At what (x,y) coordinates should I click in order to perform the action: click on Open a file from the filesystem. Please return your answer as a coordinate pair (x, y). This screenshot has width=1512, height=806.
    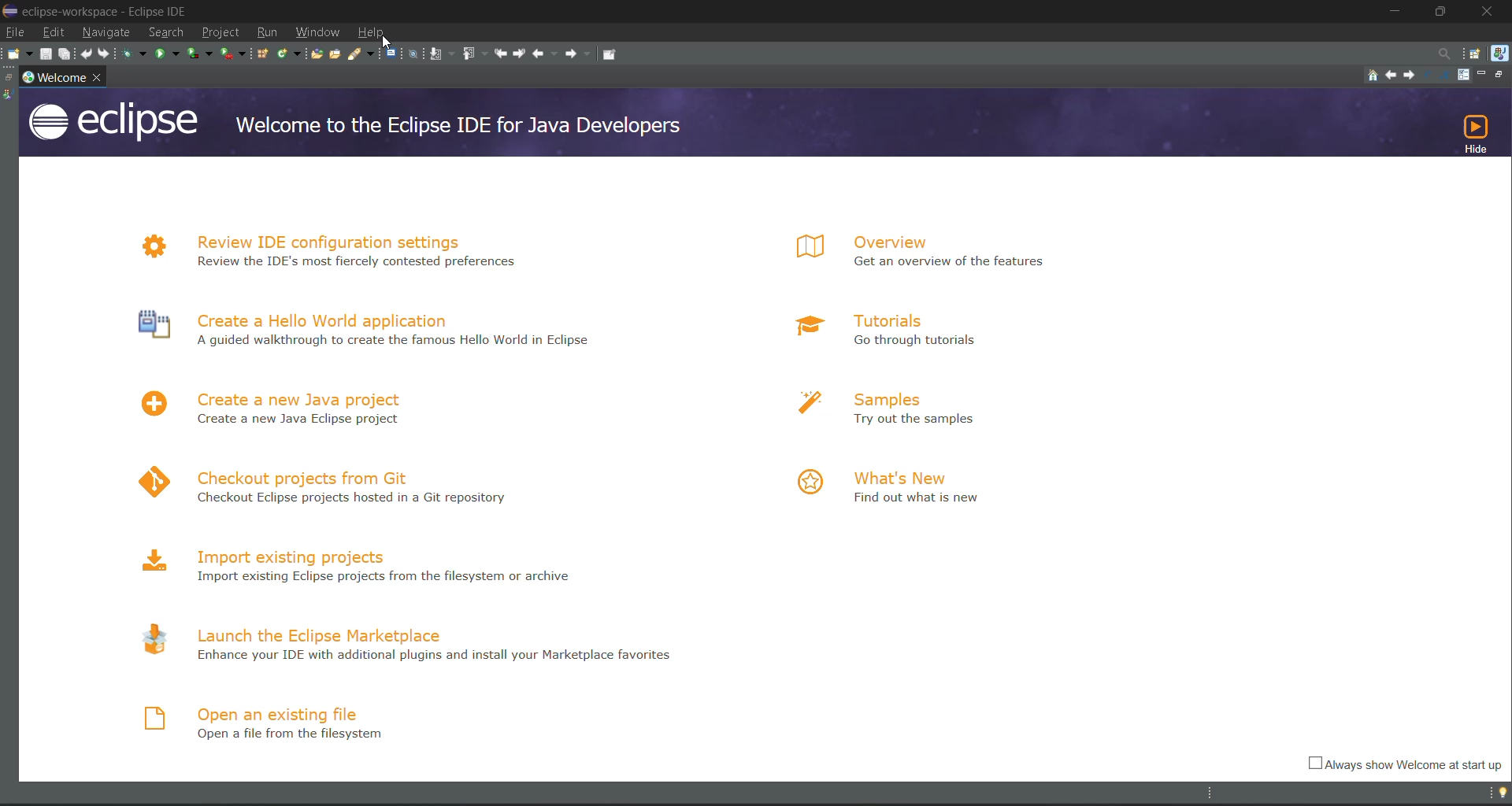
    Looking at the image, I should click on (280, 737).